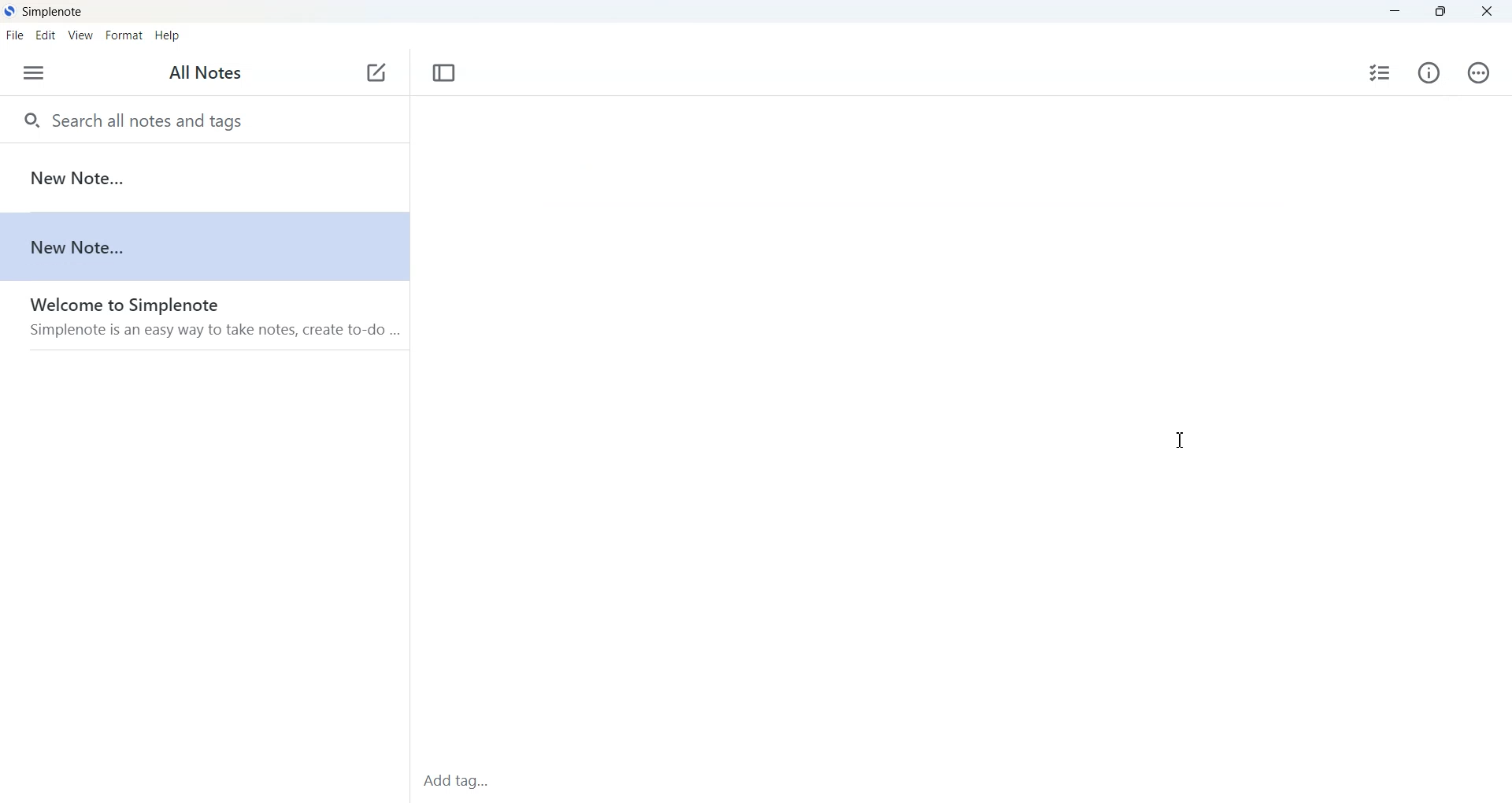 The width and height of the screenshot is (1512, 803). What do you see at coordinates (476, 781) in the screenshot?
I see `Add tag` at bounding box center [476, 781].